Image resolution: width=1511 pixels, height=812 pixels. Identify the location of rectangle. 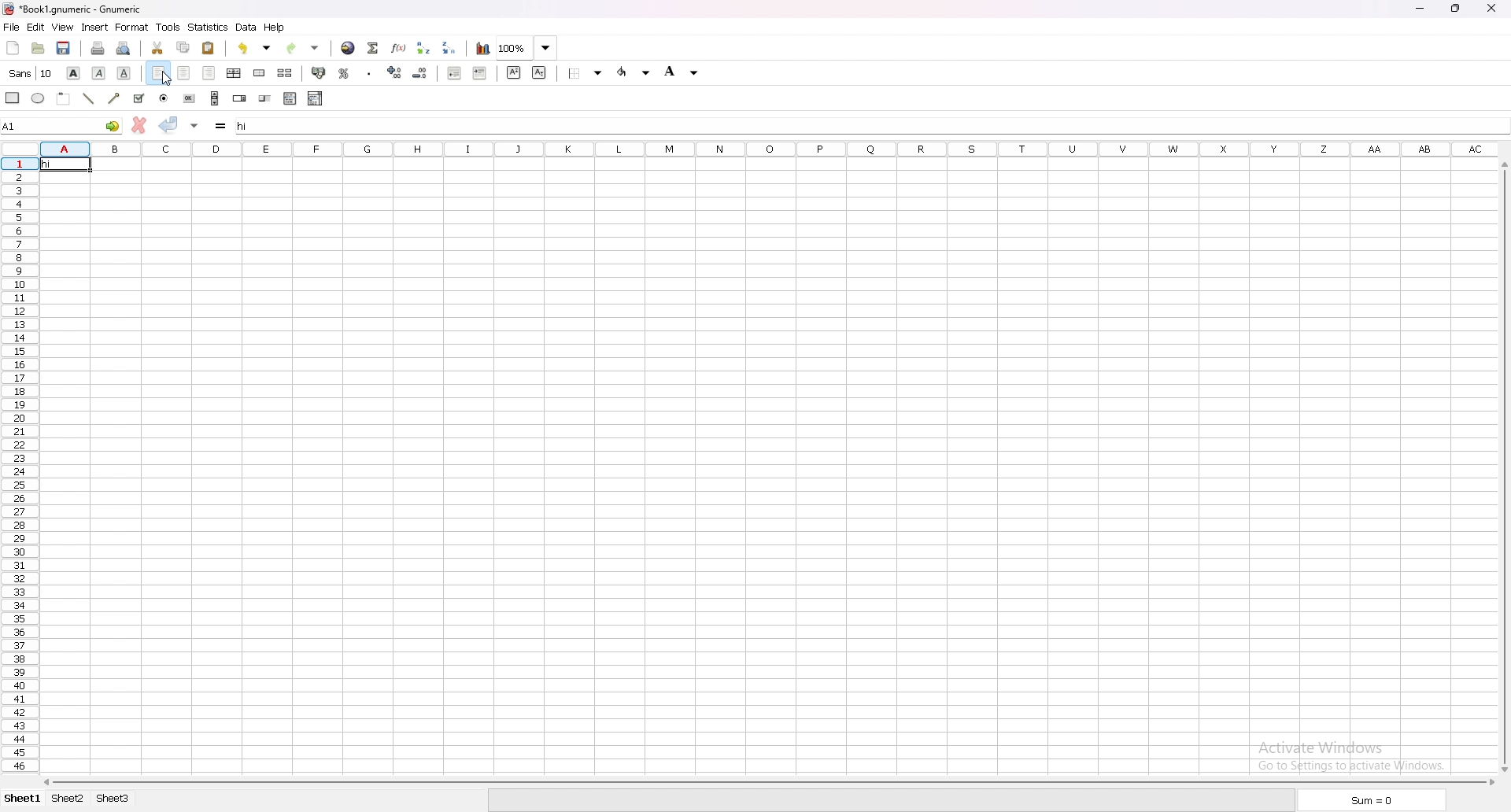
(13, 98).